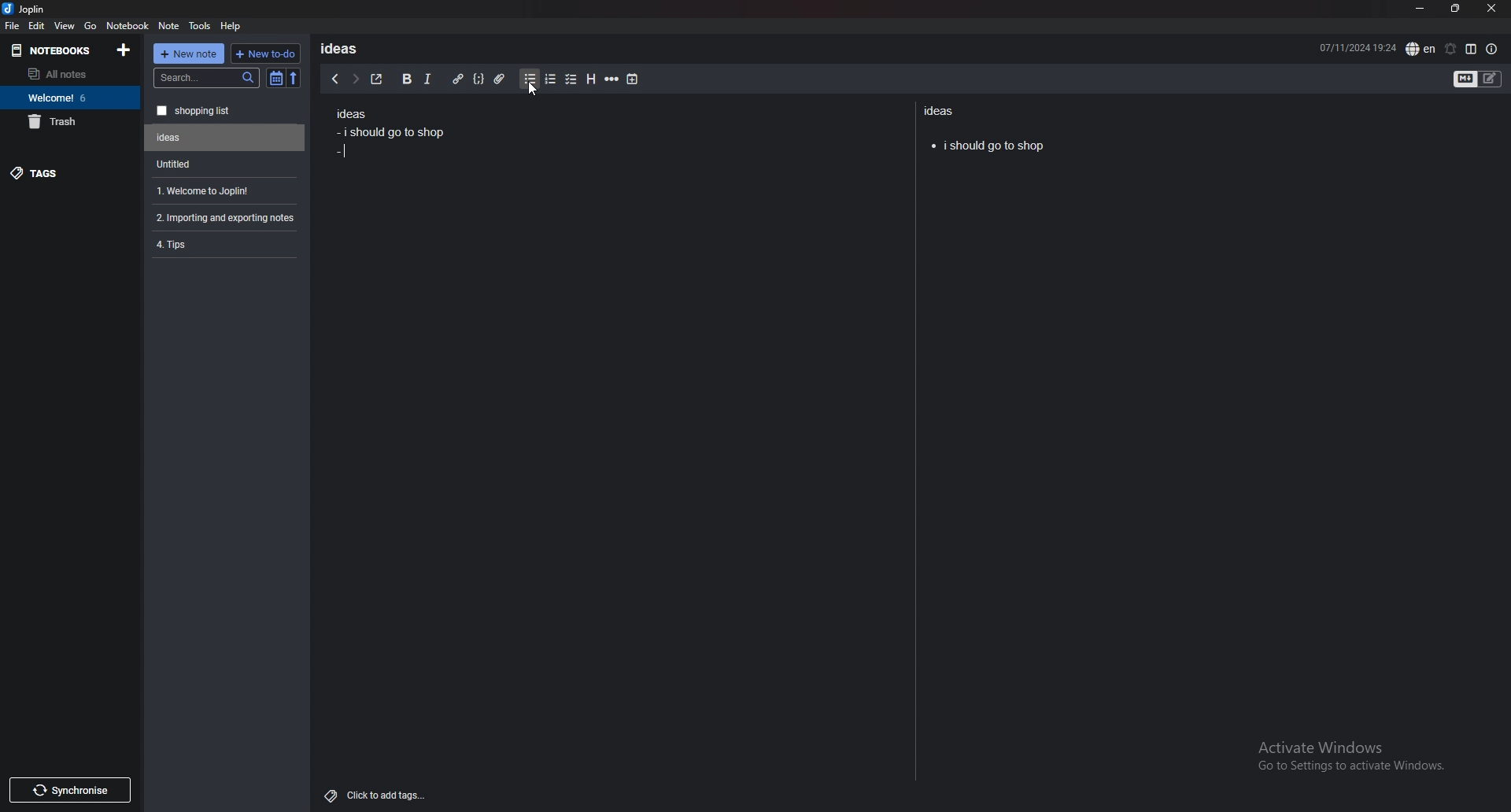 The height and width of the screenshot is (812, 1511). What do you see at coordinates (227, 218) in the screenshot?
I see `Importing and exporting notes` at bounding box center [227, 218].